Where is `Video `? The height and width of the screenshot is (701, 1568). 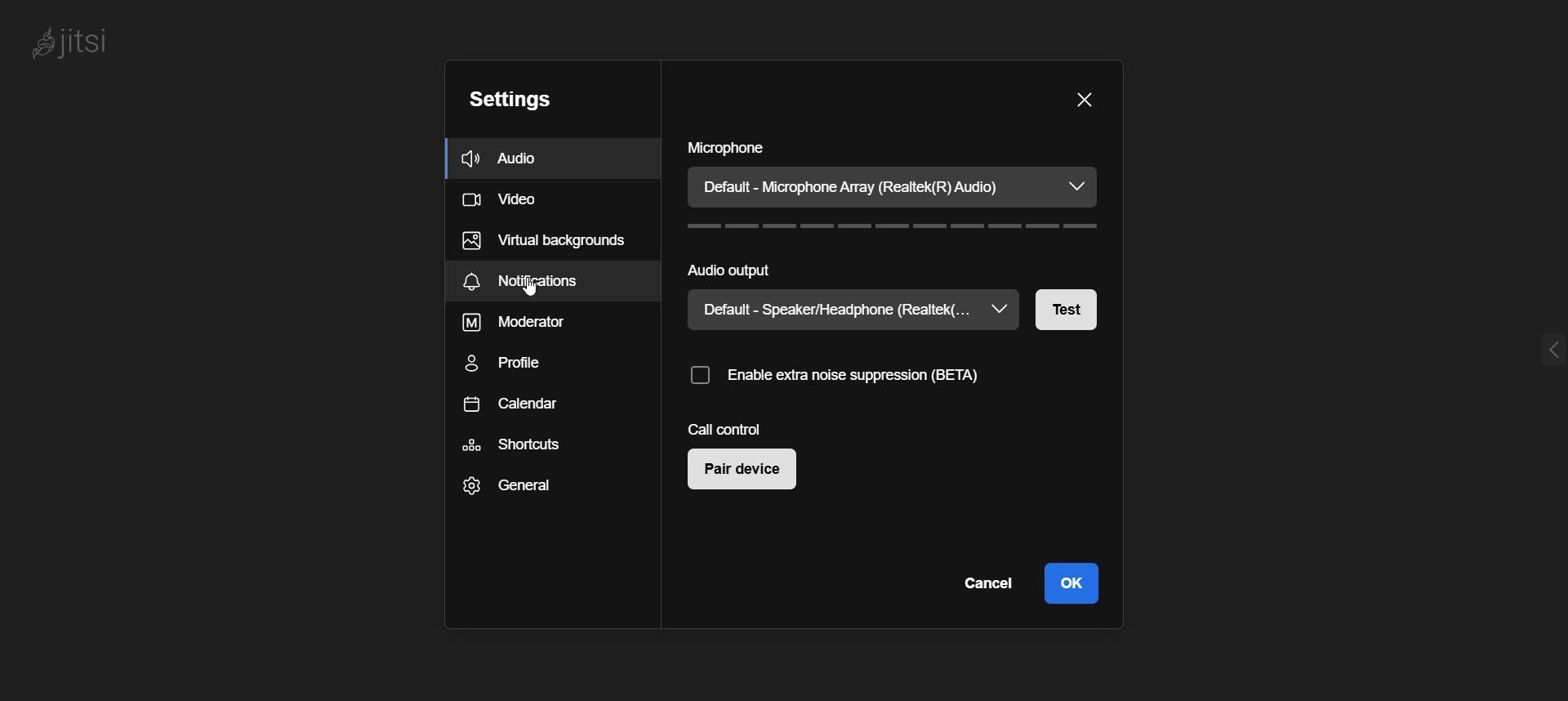 Video  is located at coordinates (523, 201).